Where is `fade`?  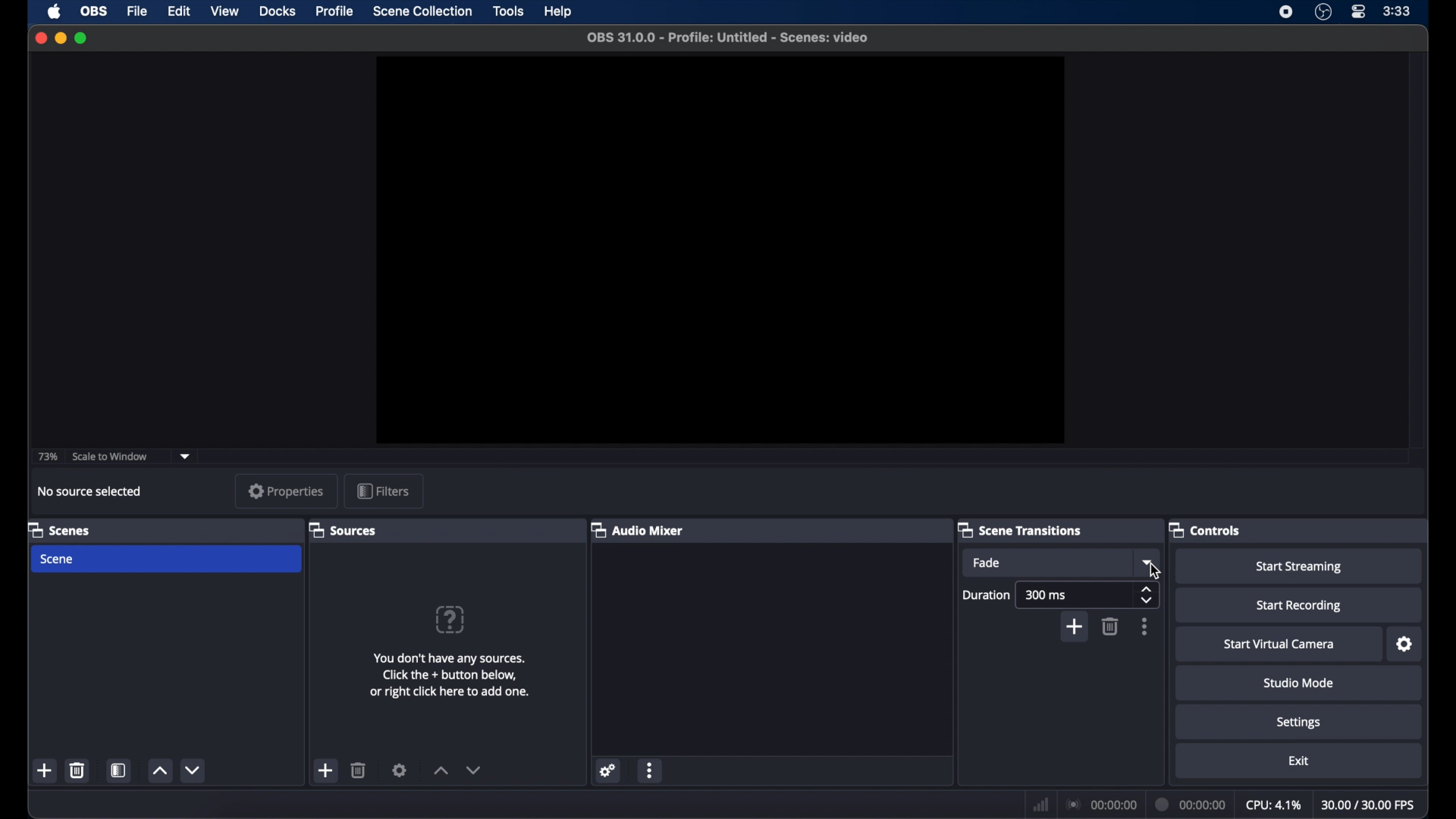
fade is located at coordinates (986, 563).